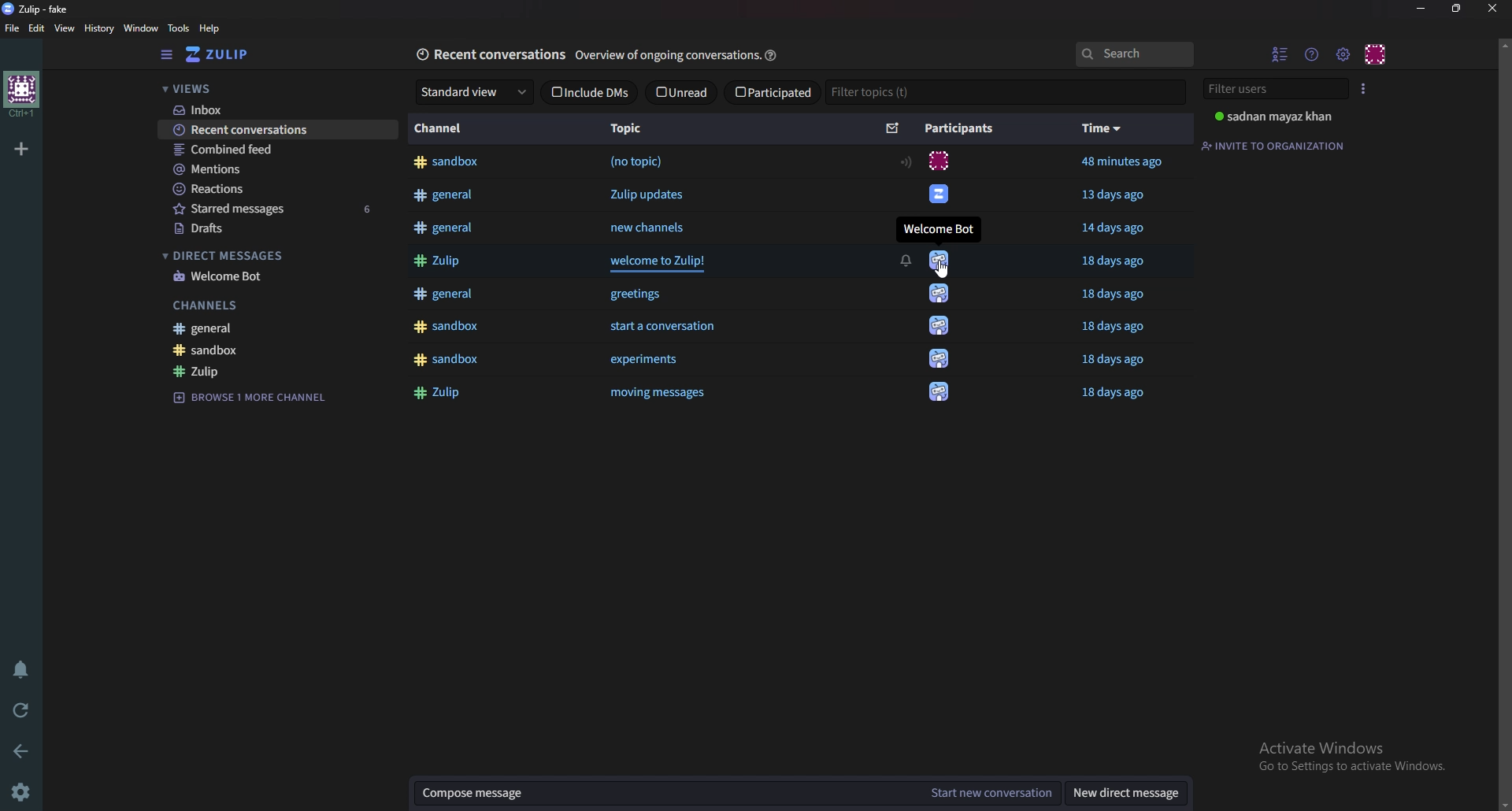 Image resolution: width=1512 pixels, height=811 pixels. I want to click on , so click(438, 261).